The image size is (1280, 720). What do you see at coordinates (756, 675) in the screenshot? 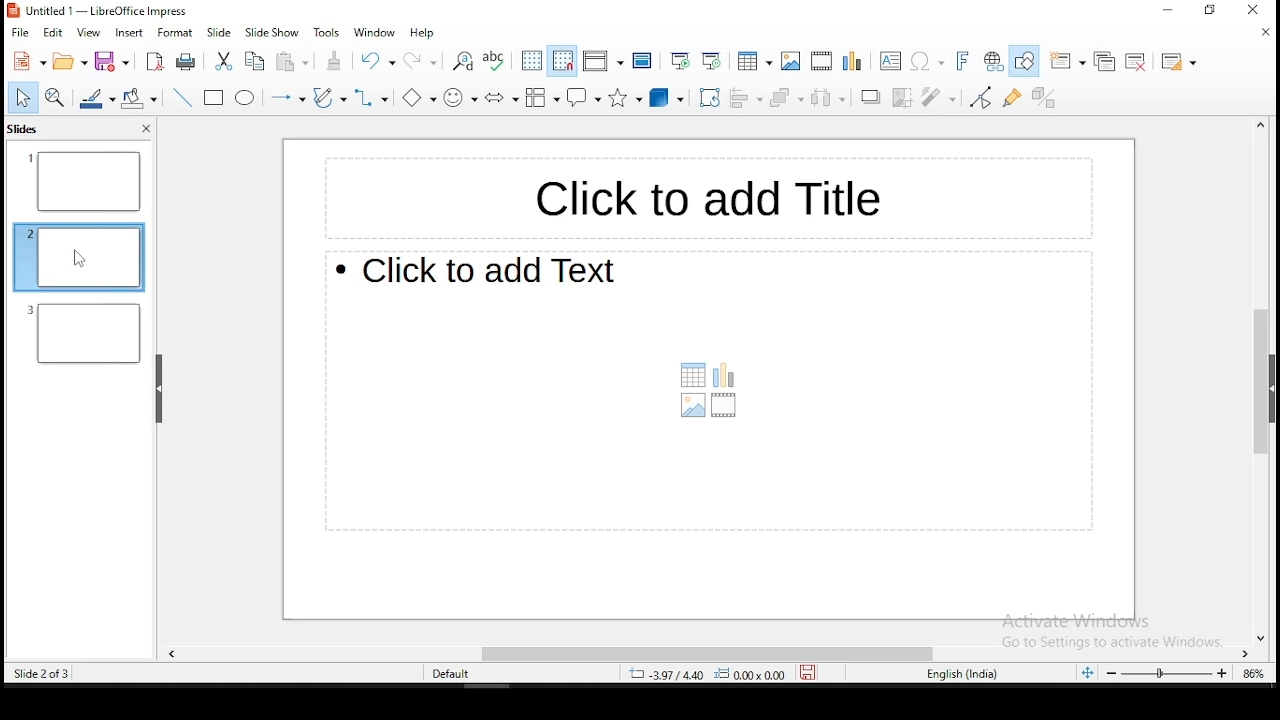
I see `0.00x0.00` at bounding box center [756, 675].